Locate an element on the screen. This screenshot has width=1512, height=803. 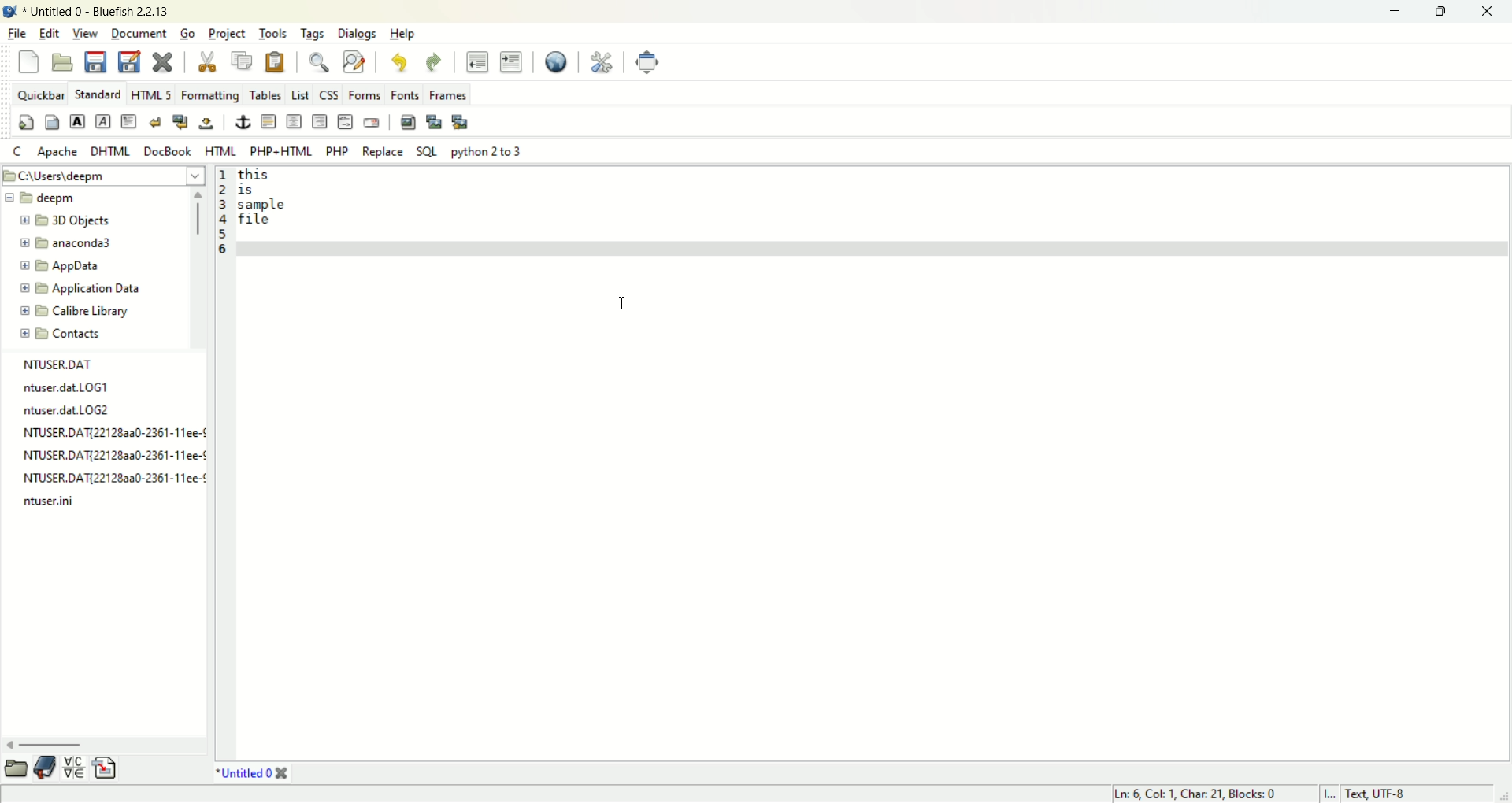
fullscreen is located at coordinates (651, 62).